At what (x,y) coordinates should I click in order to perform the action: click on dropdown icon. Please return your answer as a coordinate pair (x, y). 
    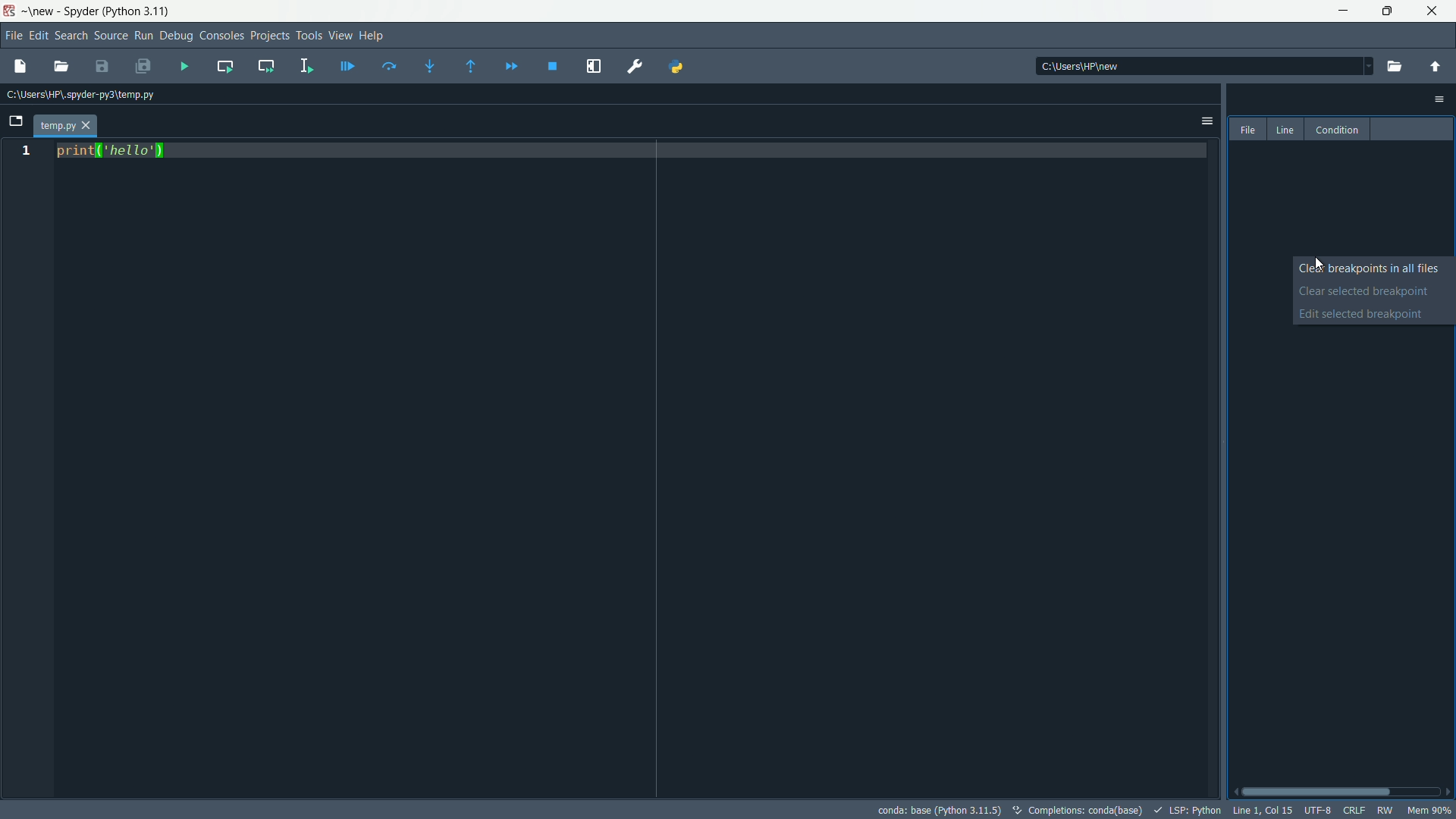
    Looking at the image, I should click on (1360, 64).